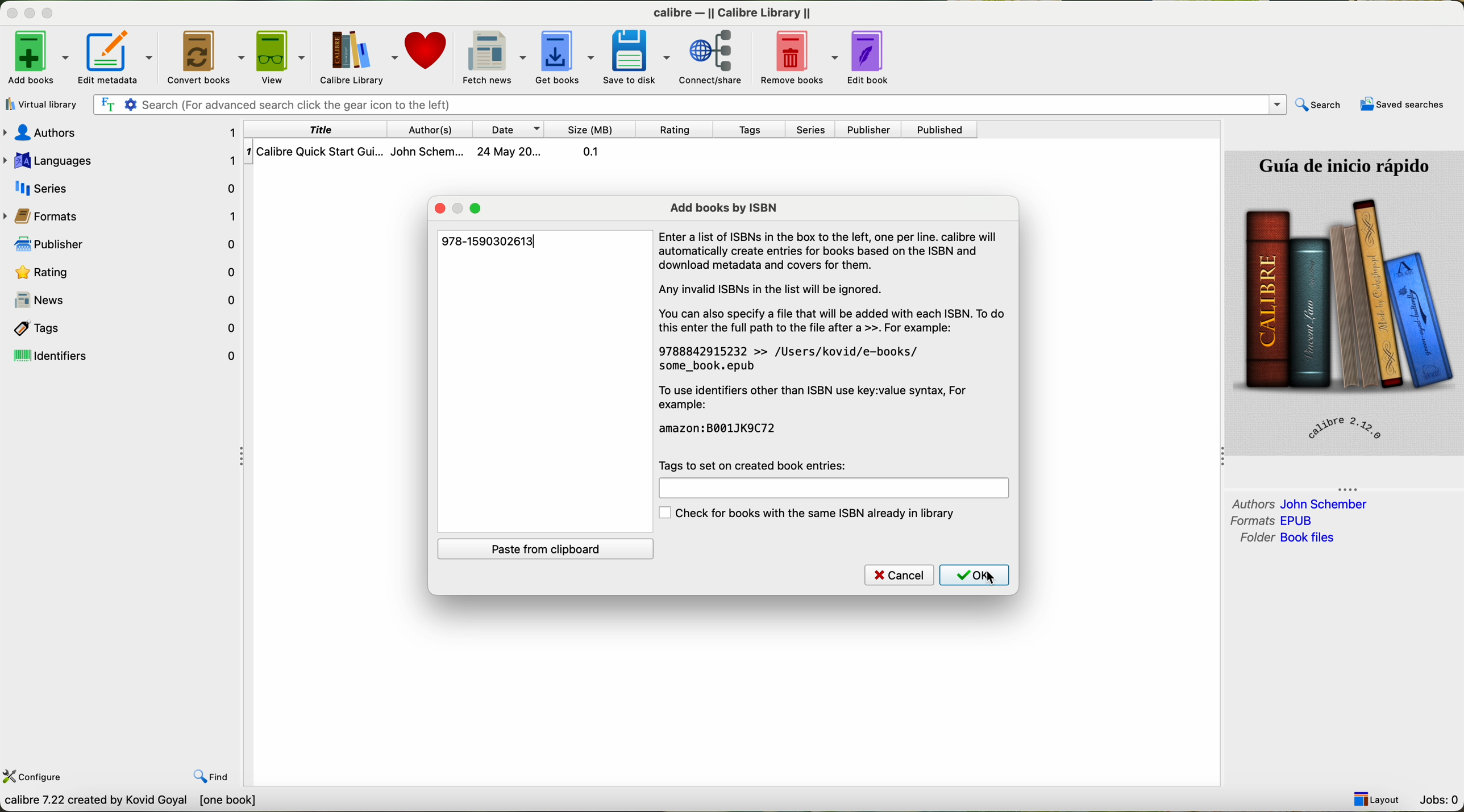  Describe the element at coordinates (748, 131) in the screenshot. I see `tags` at that location.